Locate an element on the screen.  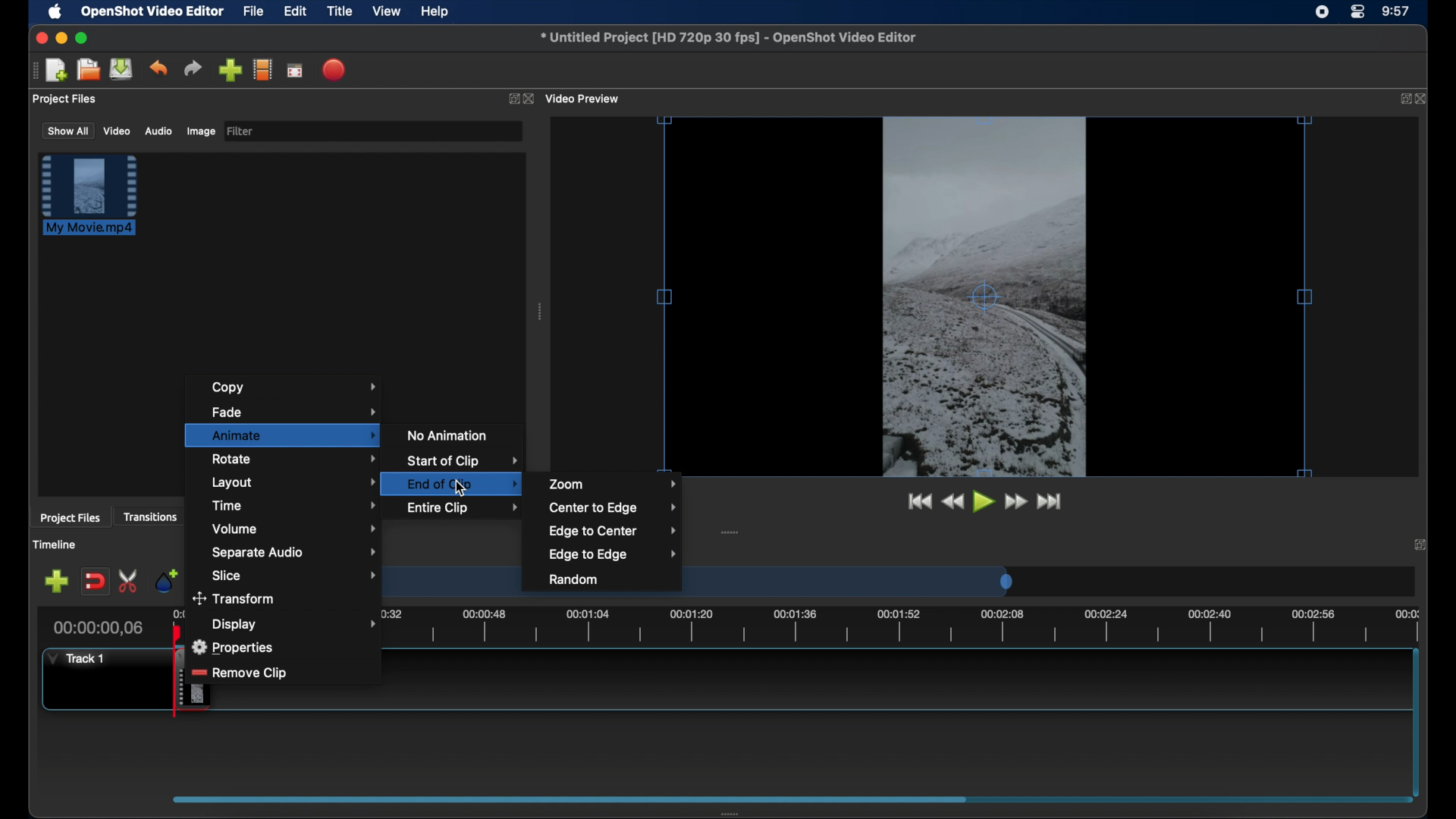
expand is located at coordinates (511, 99).